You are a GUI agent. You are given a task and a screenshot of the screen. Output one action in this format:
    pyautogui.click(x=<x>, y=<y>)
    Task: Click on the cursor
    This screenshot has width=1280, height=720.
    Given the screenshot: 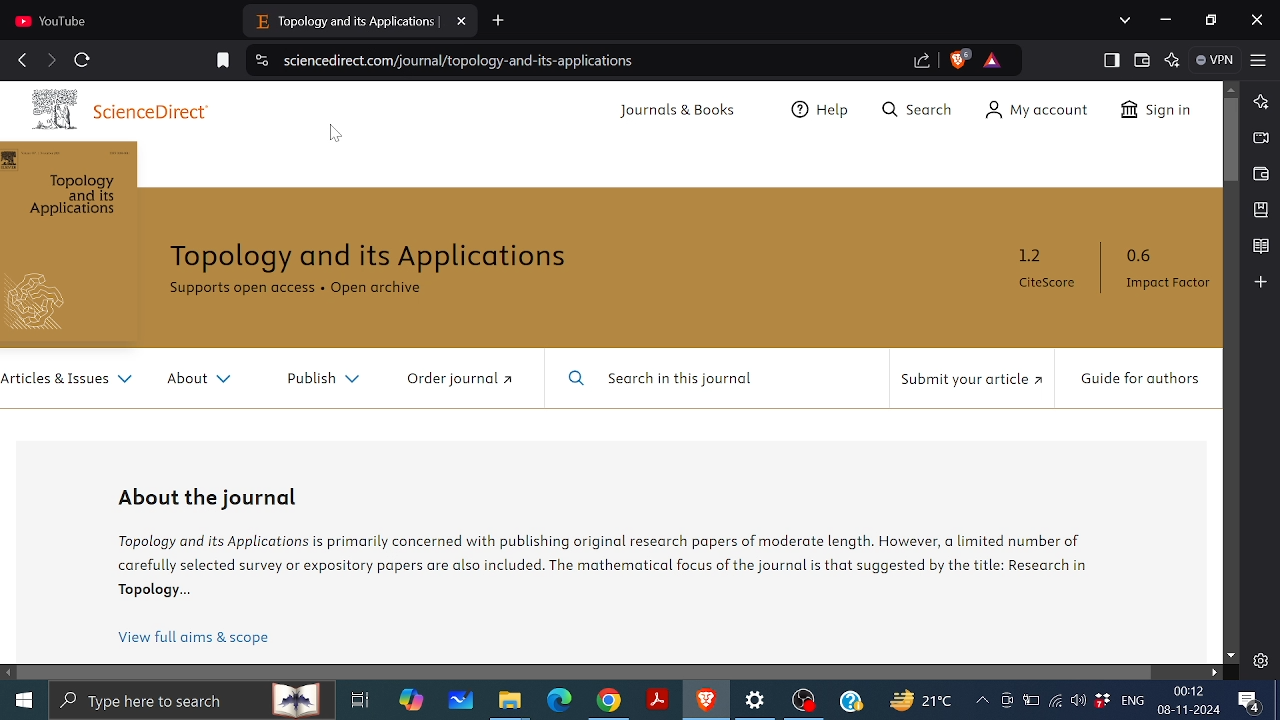 What is the action you would take?
    pyautogui.click(x=338, y=134)
    